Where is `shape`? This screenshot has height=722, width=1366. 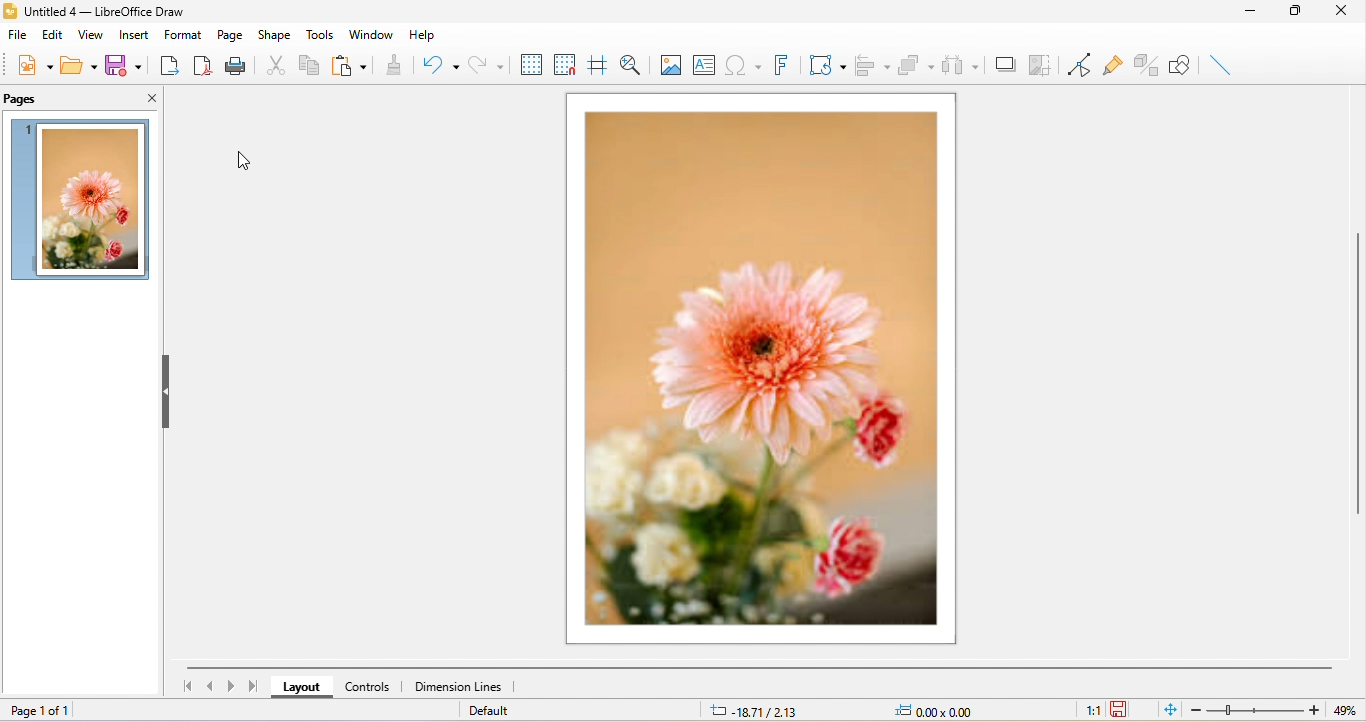 shape is located at coordinates (275, 32).